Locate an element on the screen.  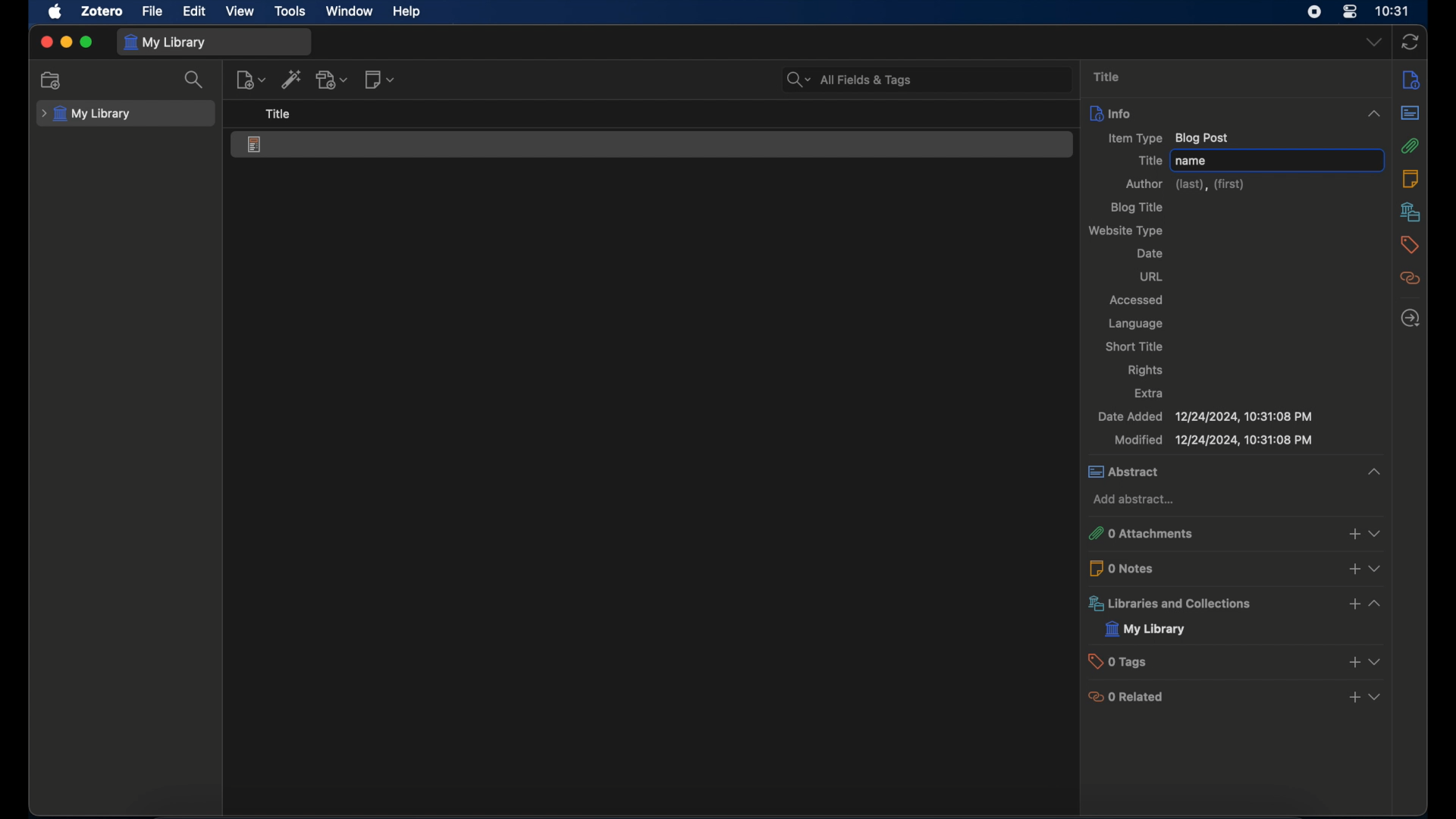
locate is located at coordinates (1409, 318).